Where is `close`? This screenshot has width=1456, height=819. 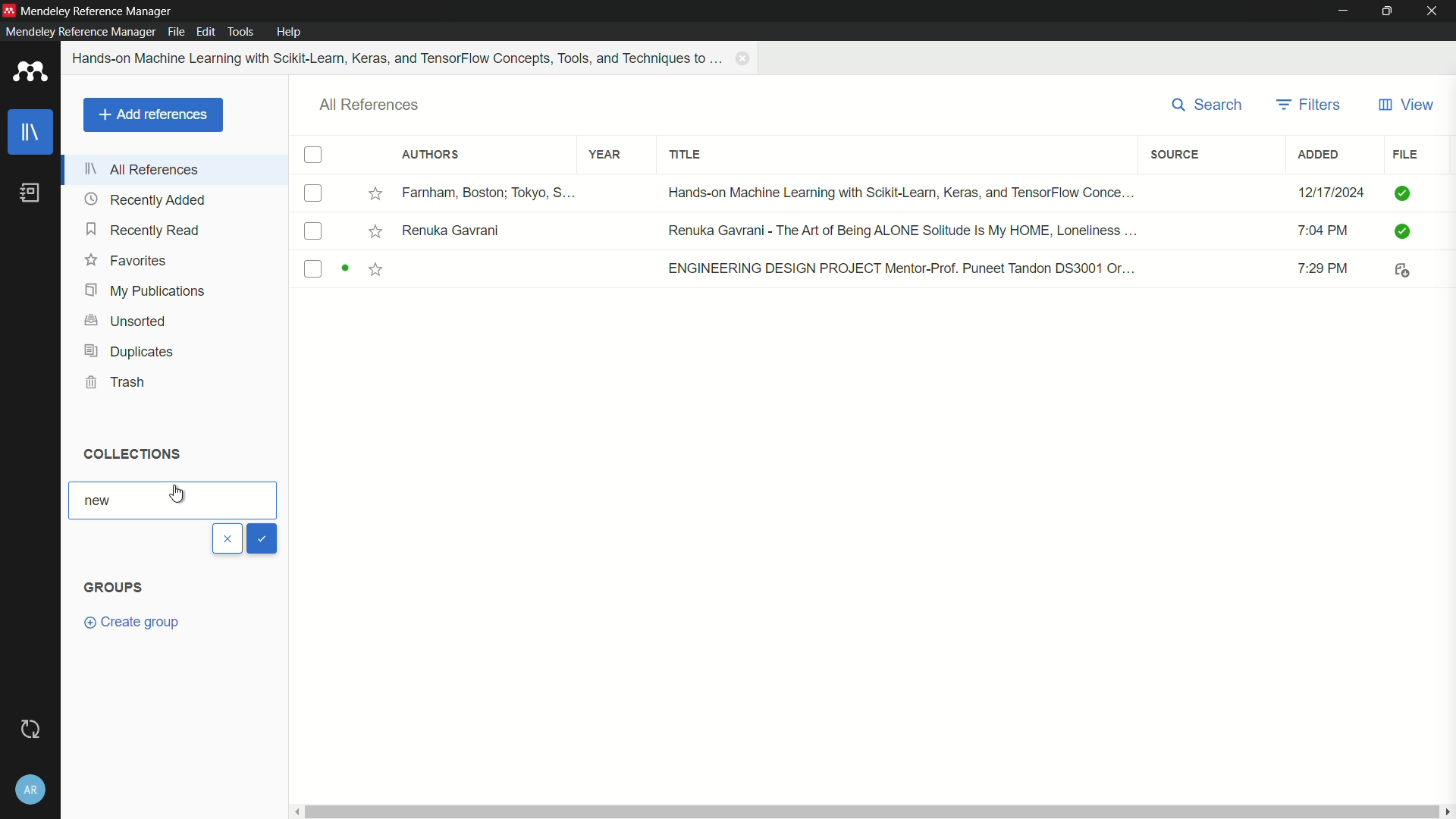
close is located at coordinates (1436, 11).